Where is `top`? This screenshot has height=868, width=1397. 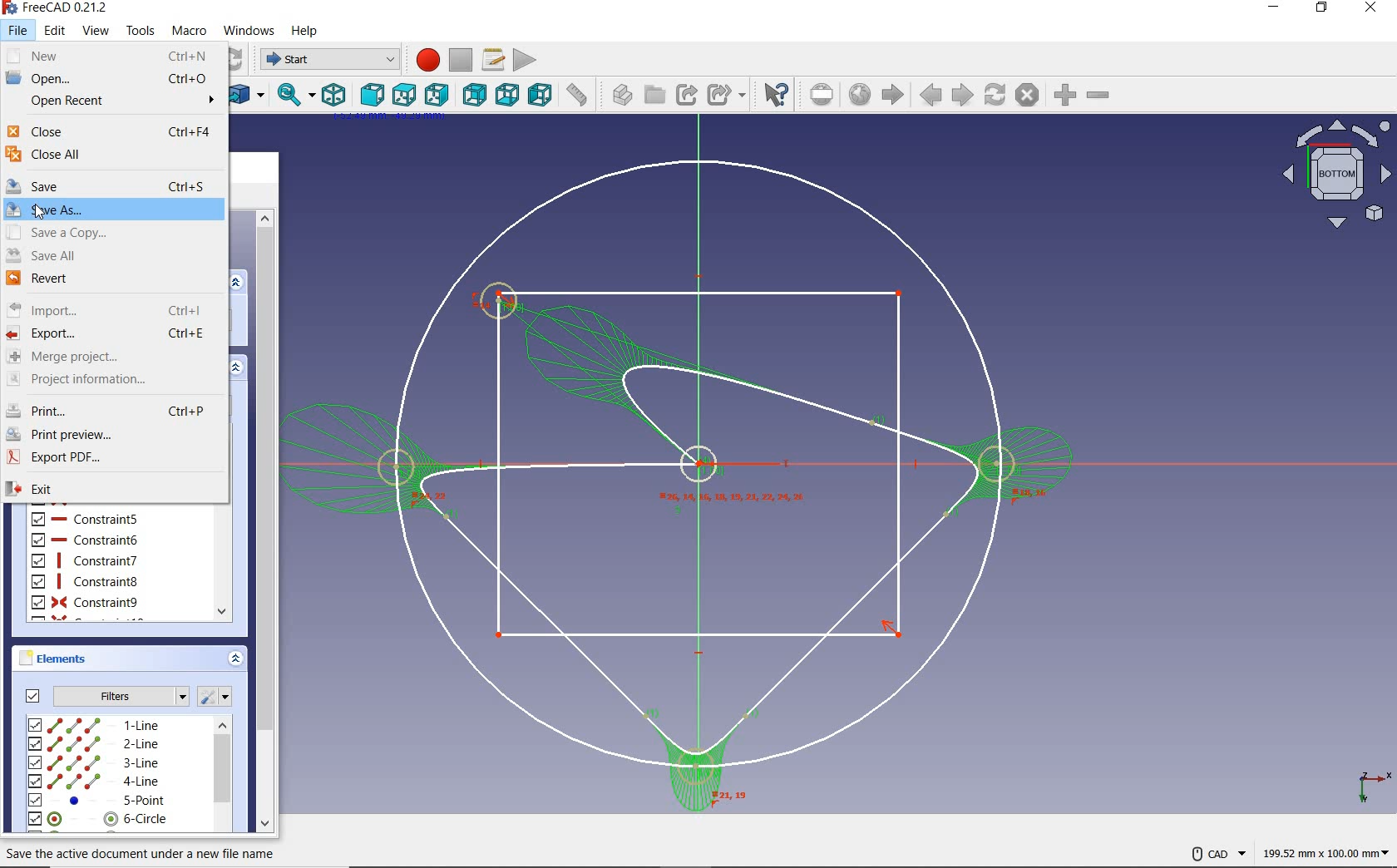
top is located at coordinates (404, 93).